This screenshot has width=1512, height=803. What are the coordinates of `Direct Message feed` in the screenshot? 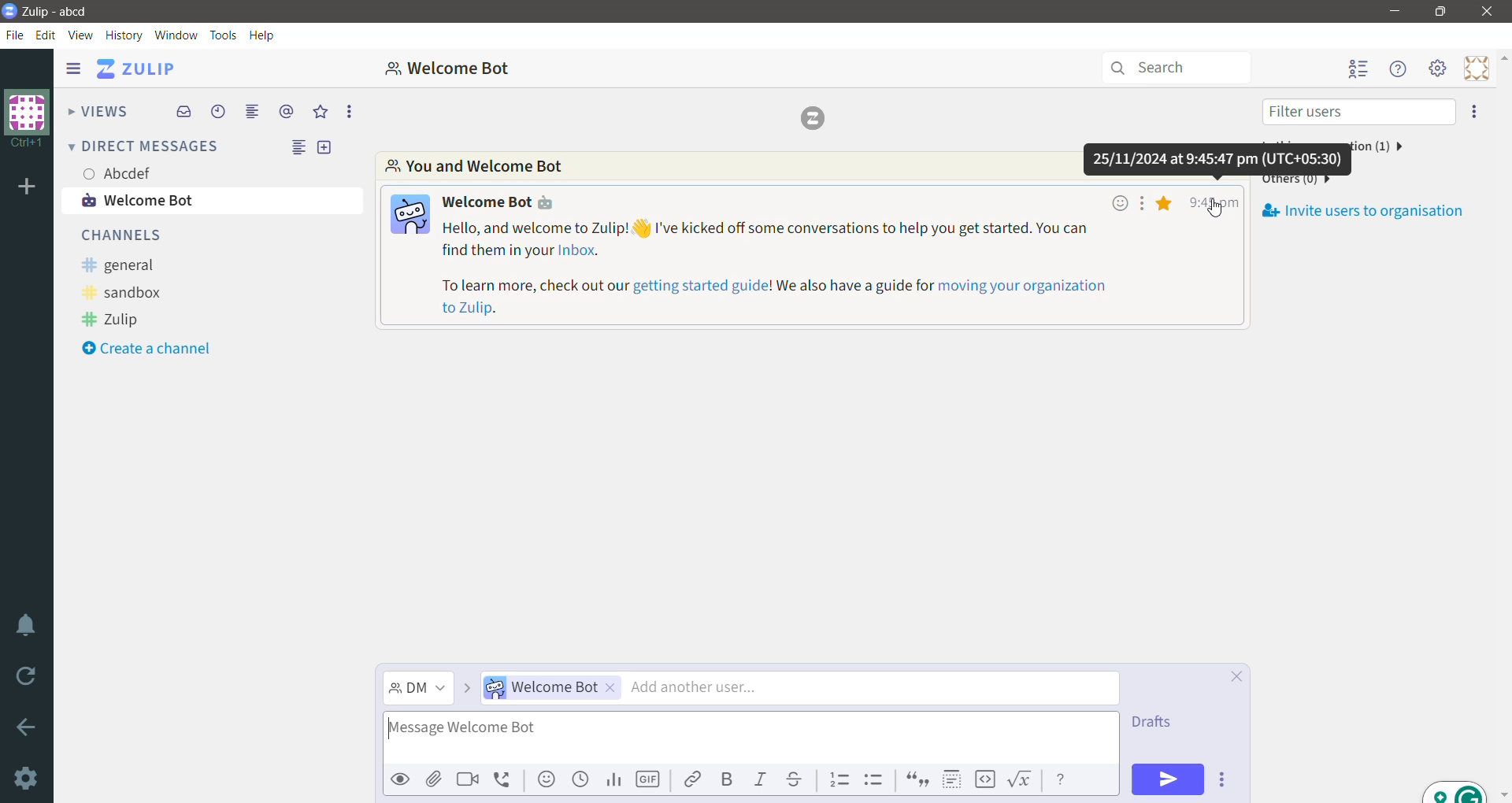 It's located at (292, 148).